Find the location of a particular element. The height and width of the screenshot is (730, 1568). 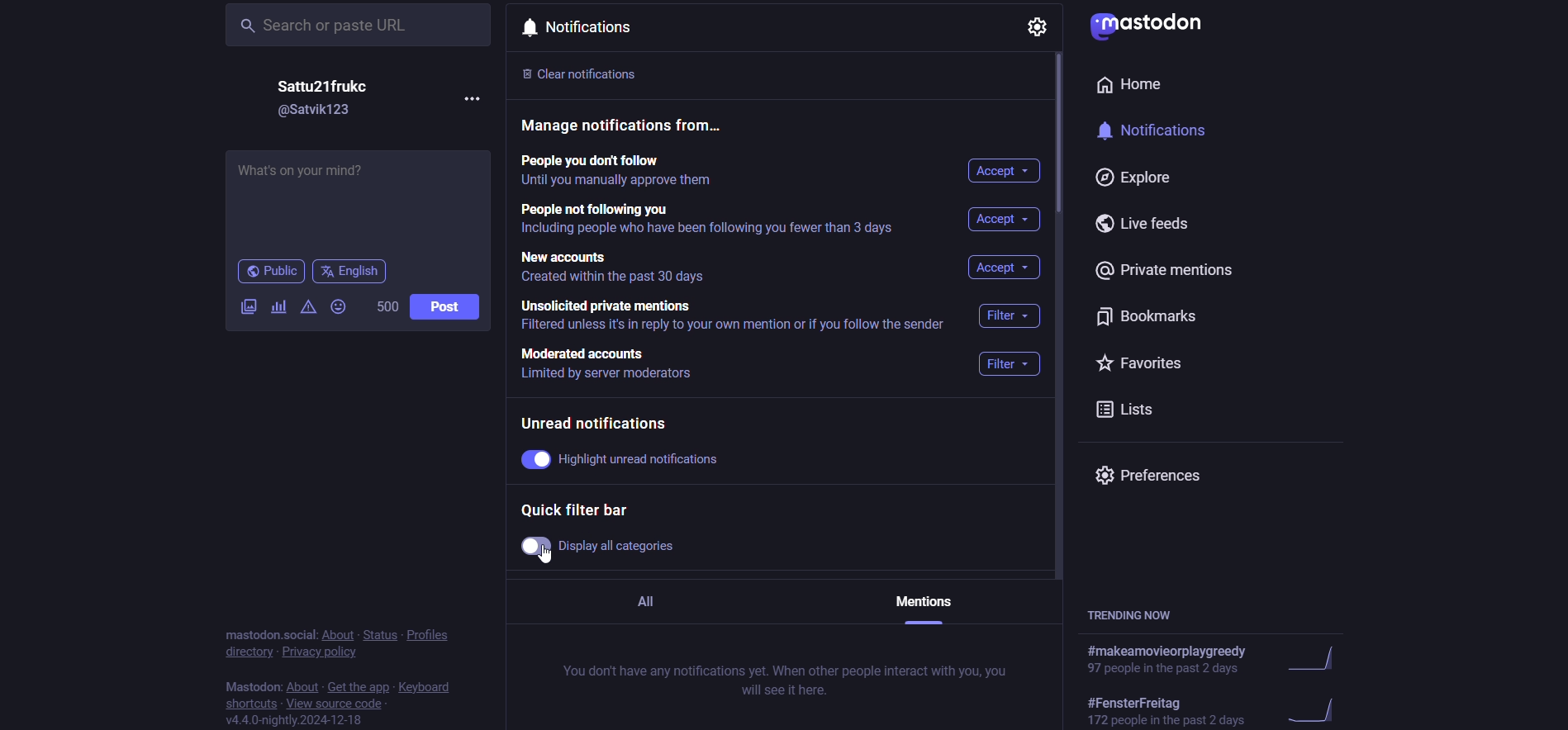

Mastodon logo is located at coordinates (1147, 27).